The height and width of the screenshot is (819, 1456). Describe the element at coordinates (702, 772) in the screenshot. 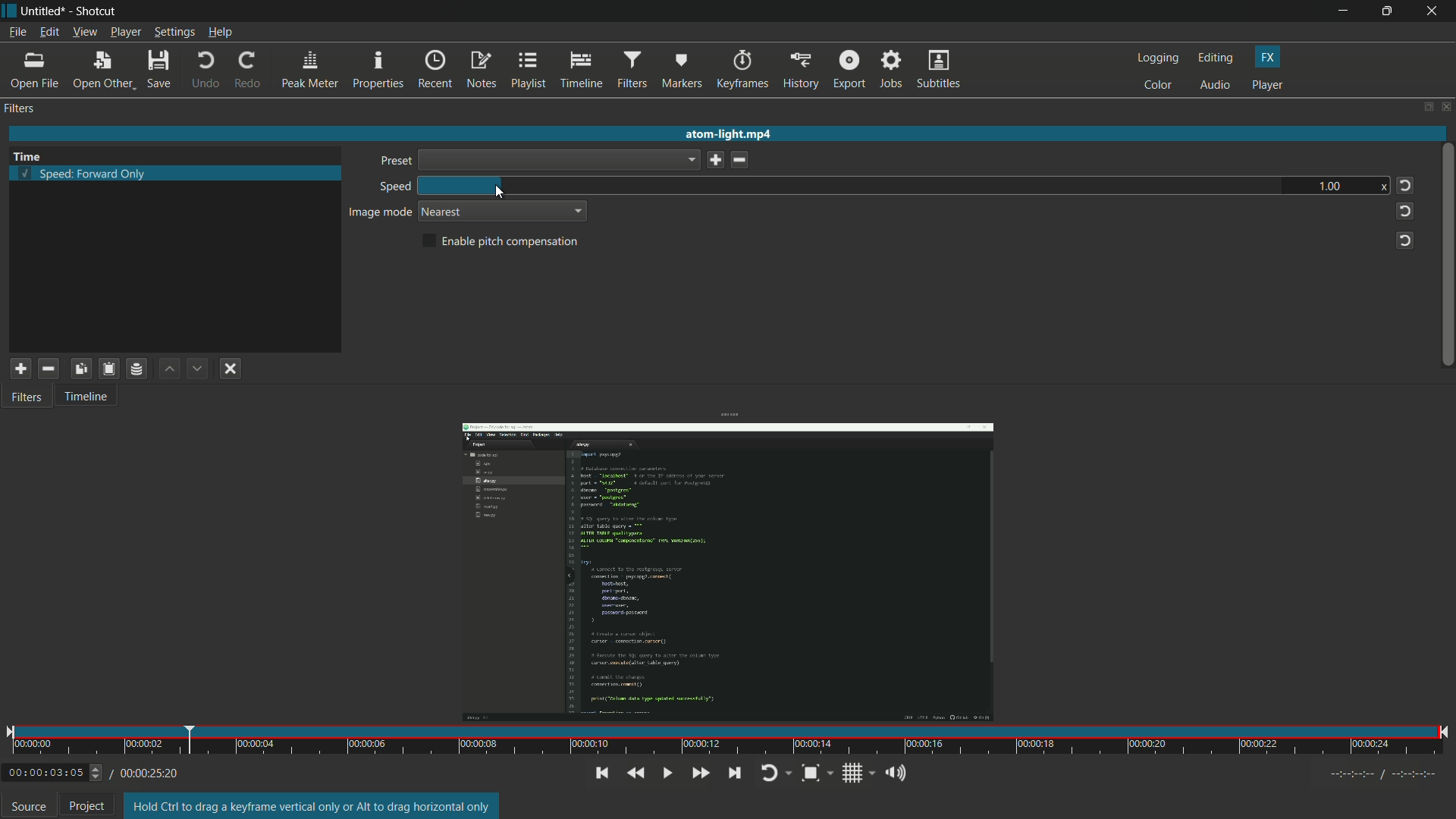

I see `play quickly forward` at that location.